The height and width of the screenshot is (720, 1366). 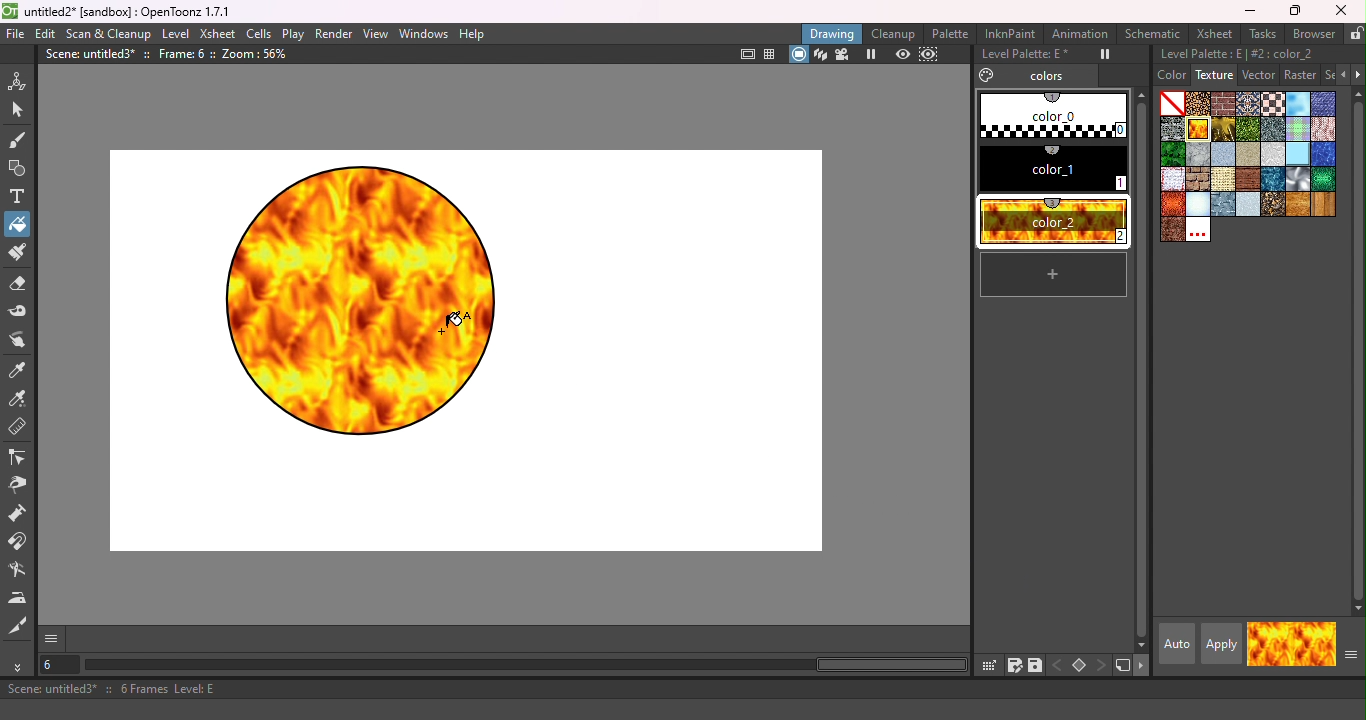 What do you see at coordinates (1357, 75) in the screenshot?
I see `Next` at bounding box center [1357, 75].